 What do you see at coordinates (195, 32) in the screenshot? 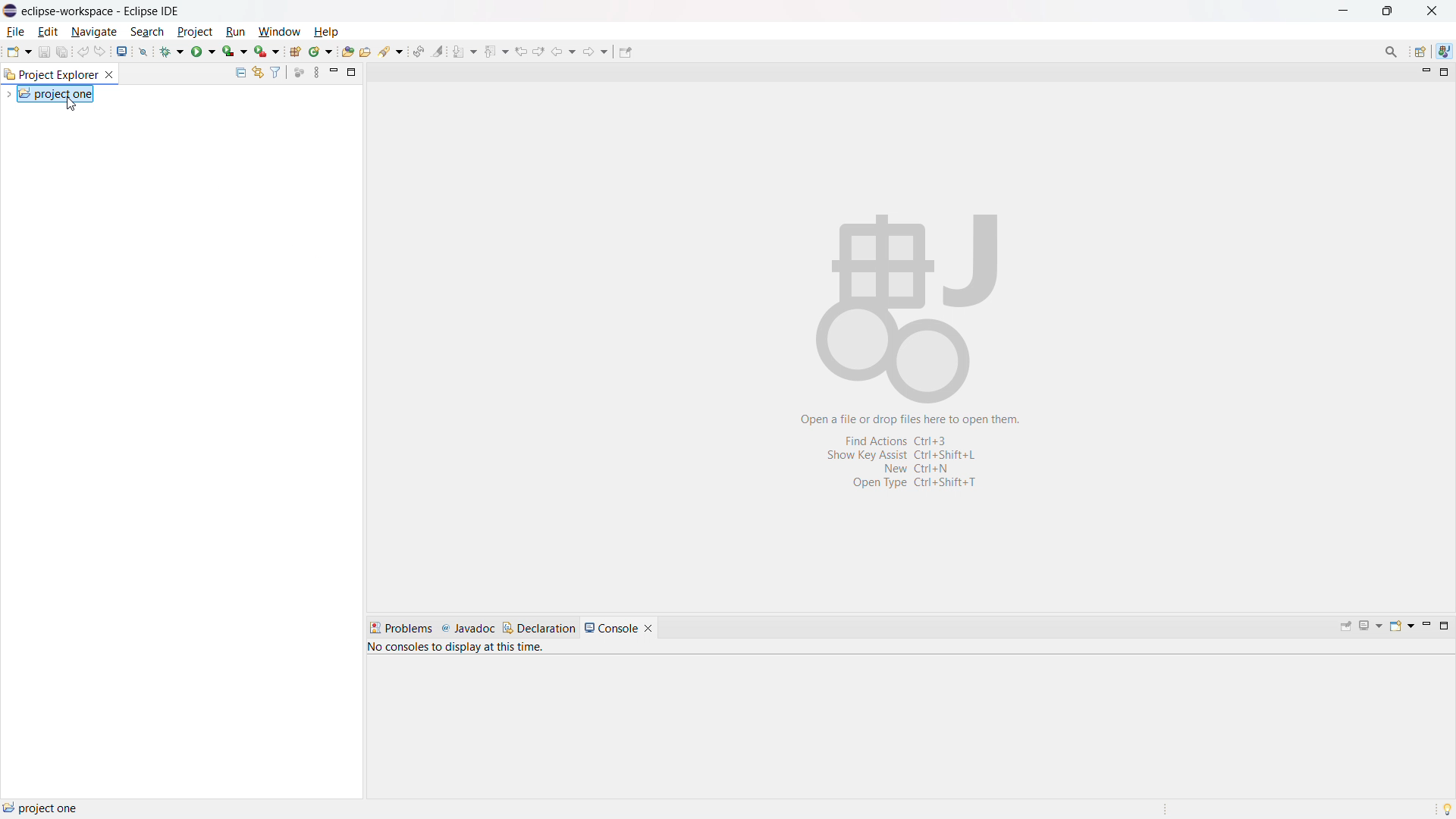
I see `project` at bounding box center [195, 32].